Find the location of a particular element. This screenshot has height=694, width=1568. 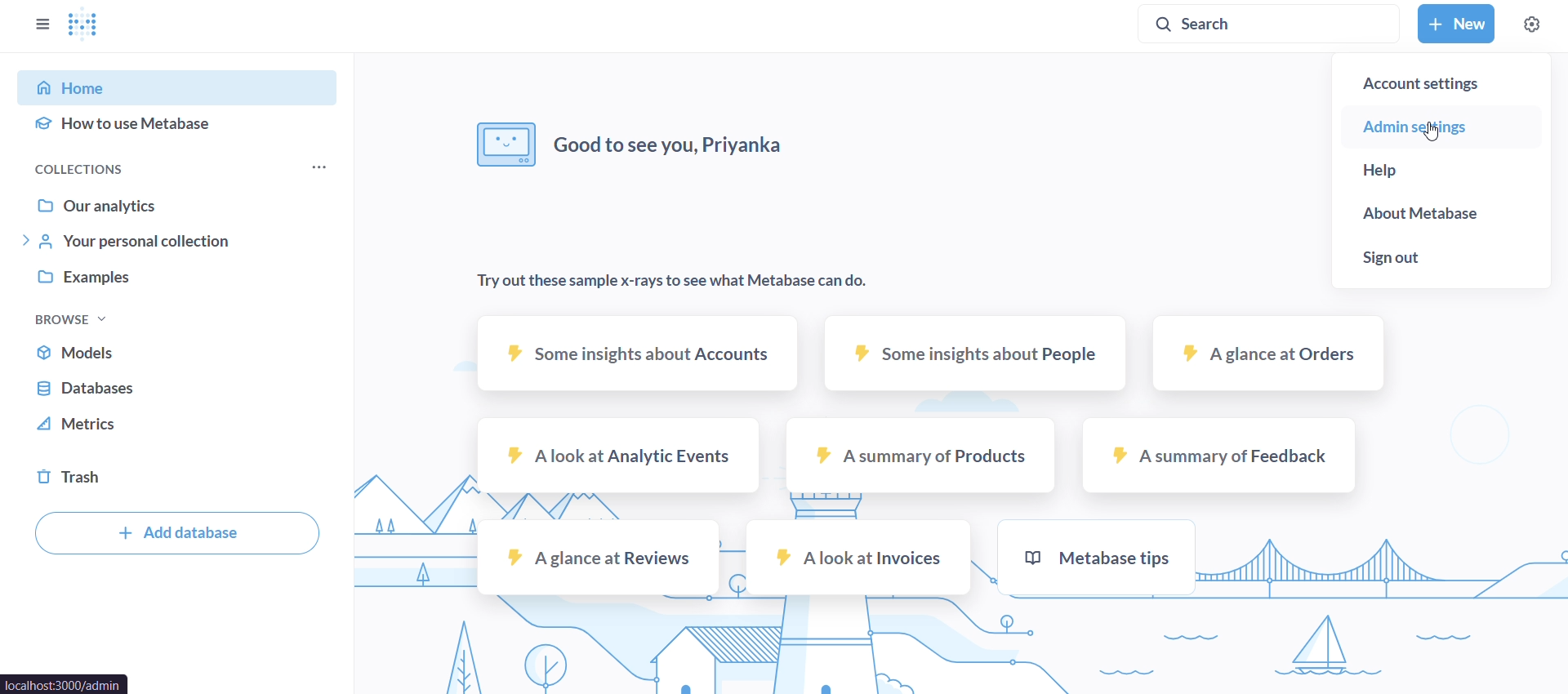

a glance at orders is located at coordinates (1269, 352).